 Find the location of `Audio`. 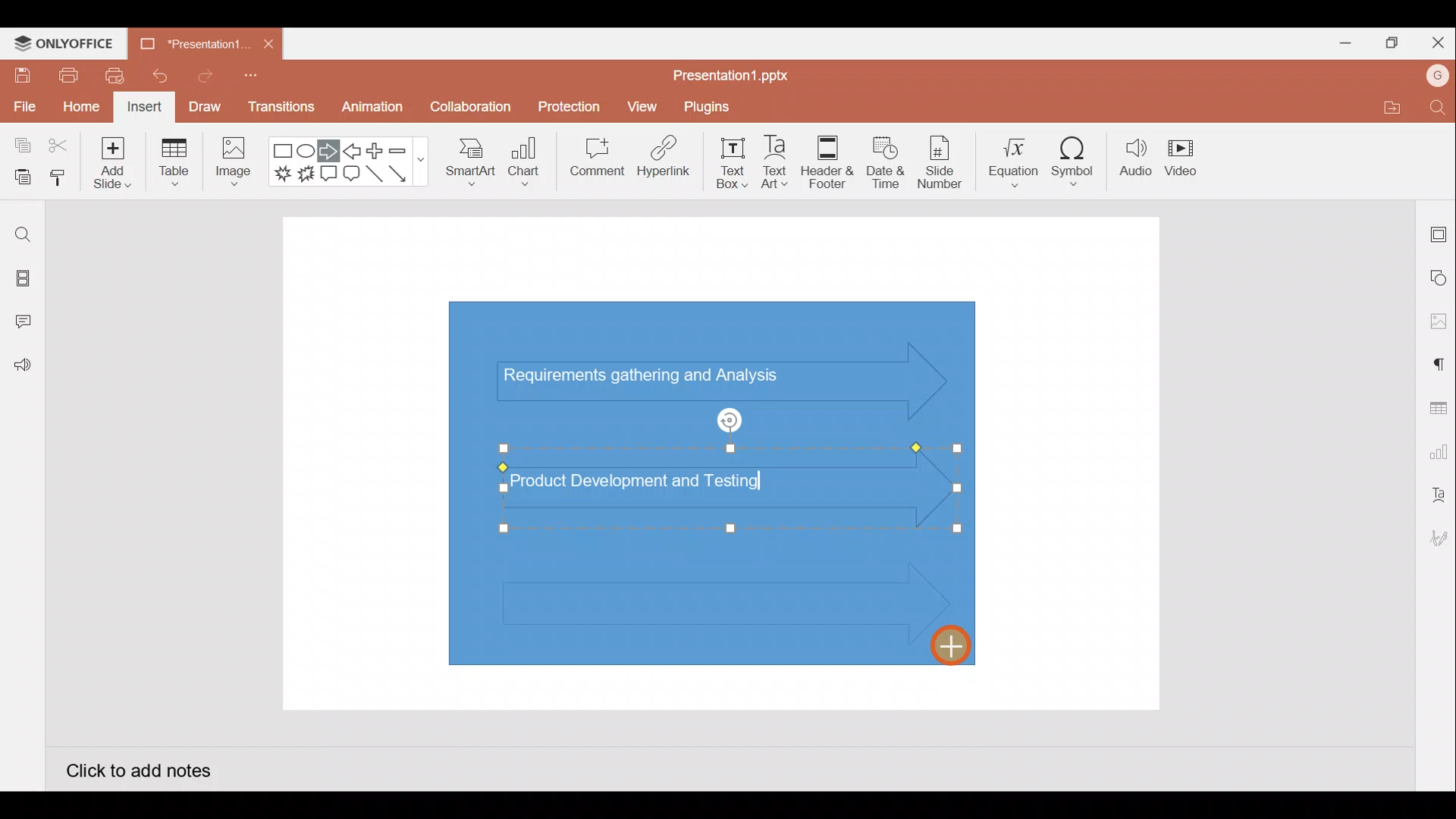

Audio is located at coordinates (1136, 158).